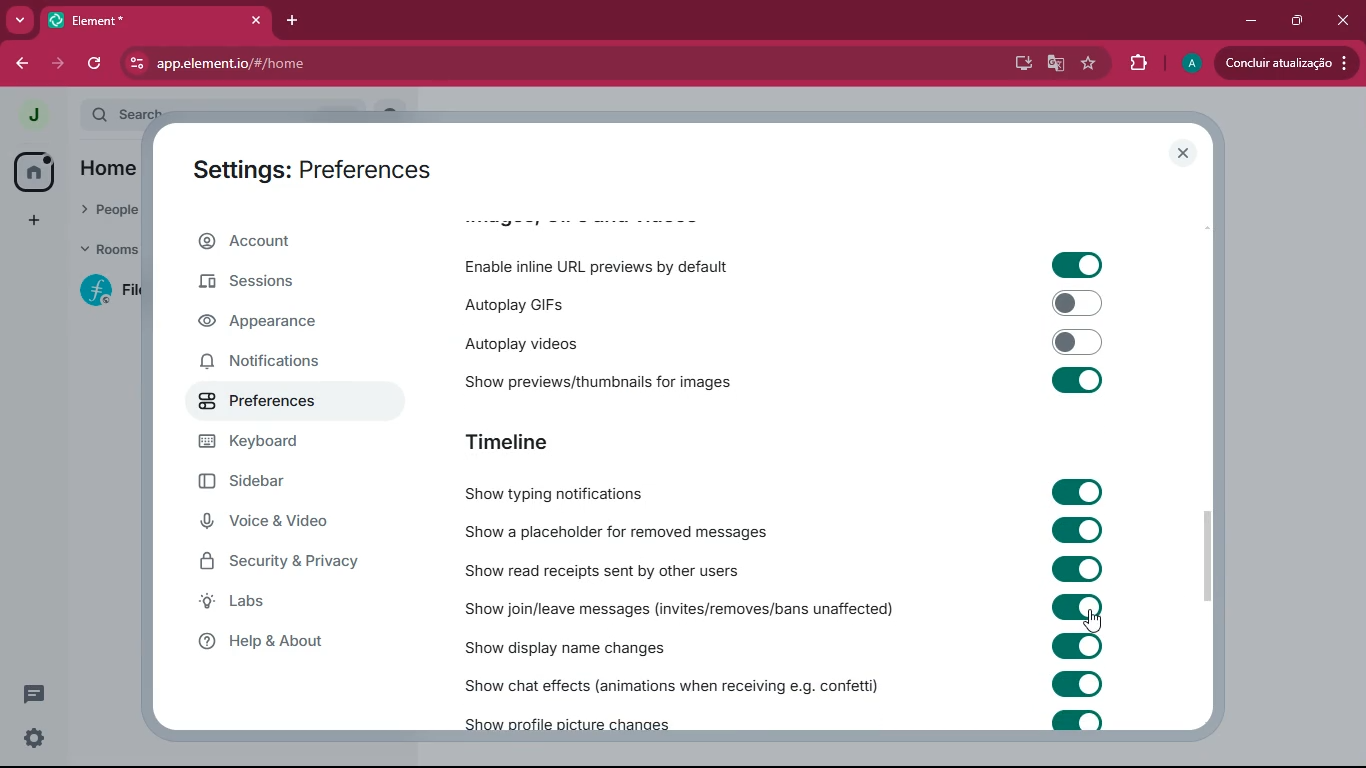  I want to click on app.element.io/#/home, so click(390, 64).